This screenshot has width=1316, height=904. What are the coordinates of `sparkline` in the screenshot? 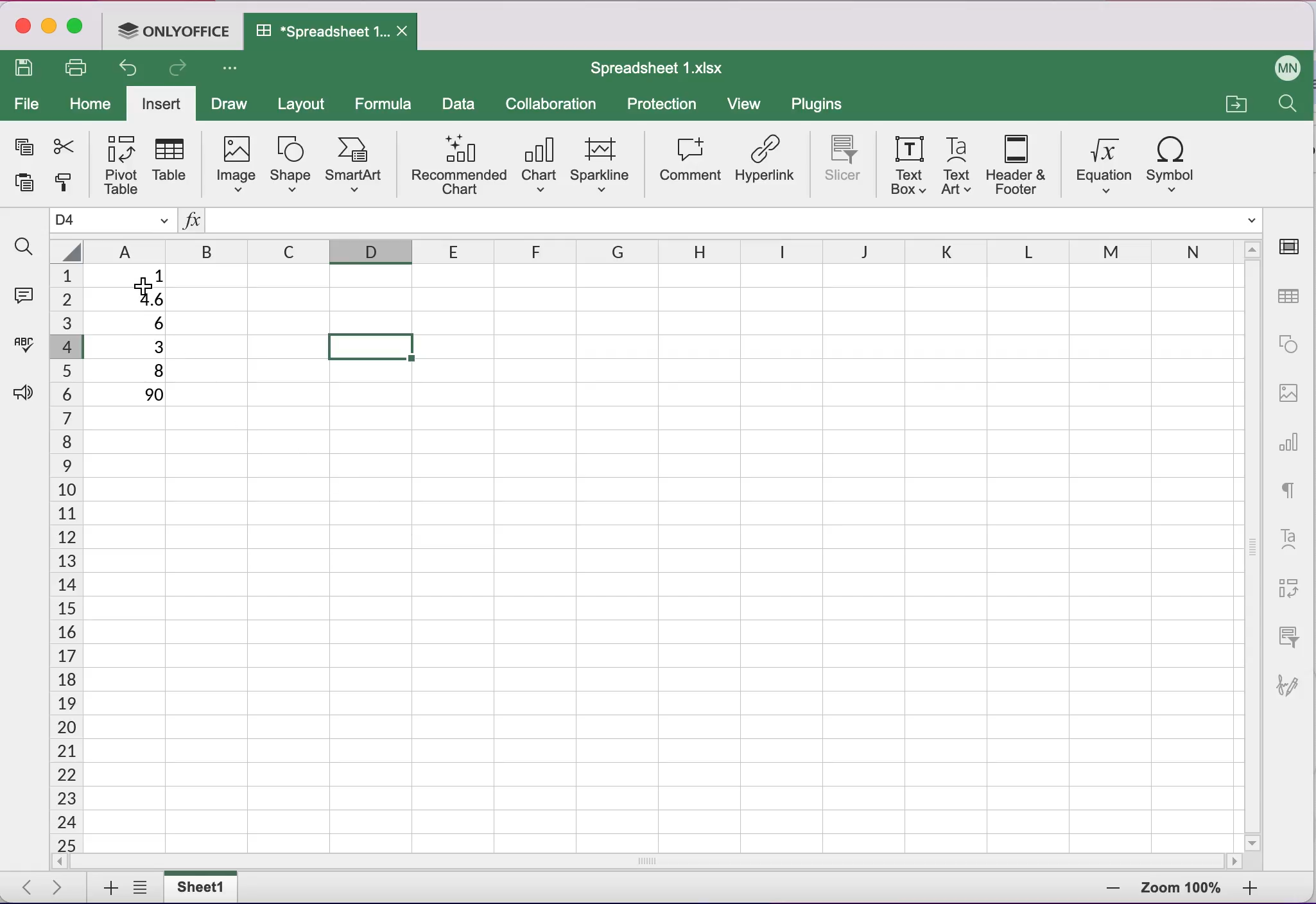 It's located at (602, 164).